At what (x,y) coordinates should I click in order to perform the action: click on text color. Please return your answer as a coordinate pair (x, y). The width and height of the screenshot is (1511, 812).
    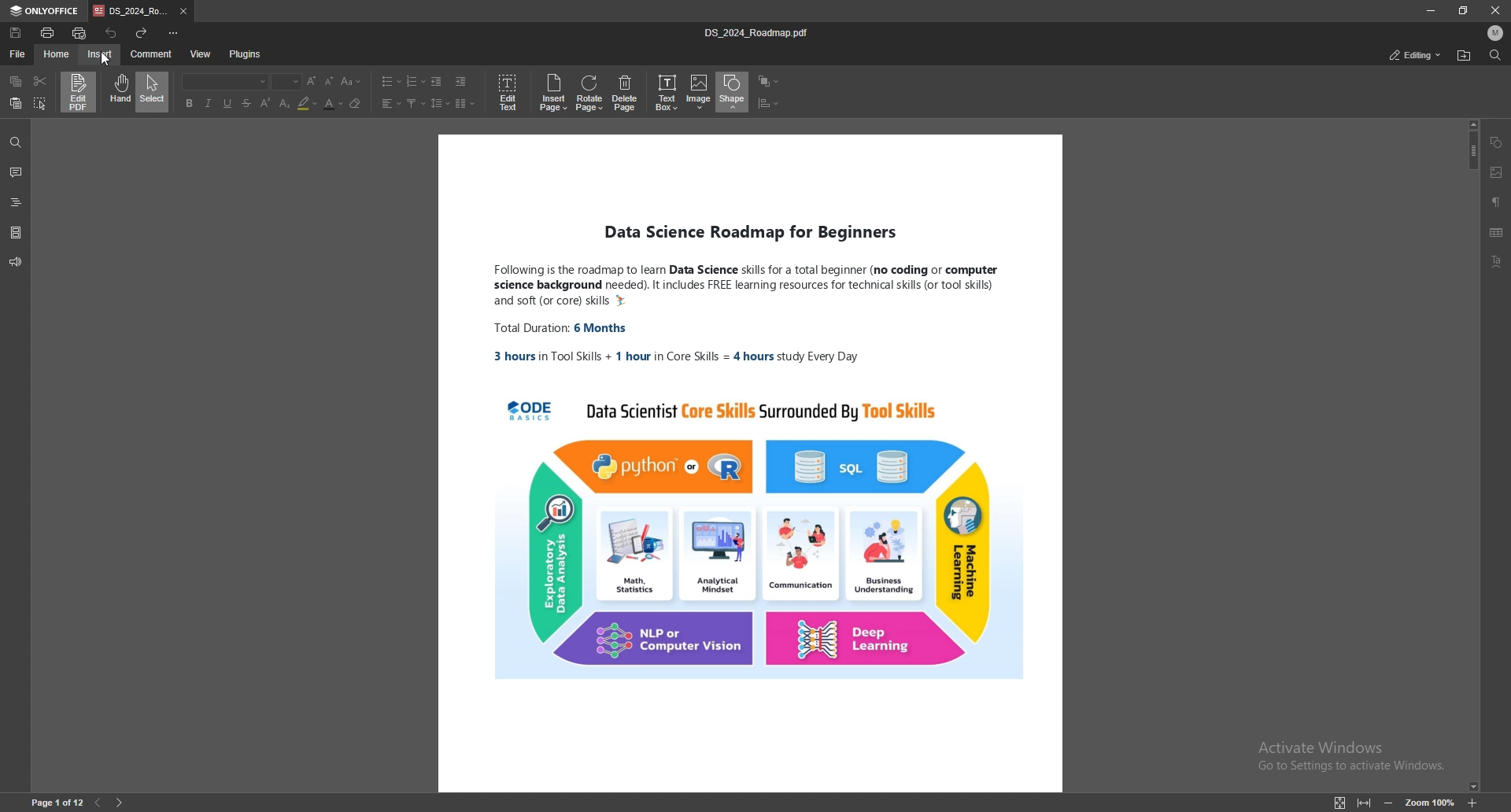
    Looking at the image, I should click on (332, 105).